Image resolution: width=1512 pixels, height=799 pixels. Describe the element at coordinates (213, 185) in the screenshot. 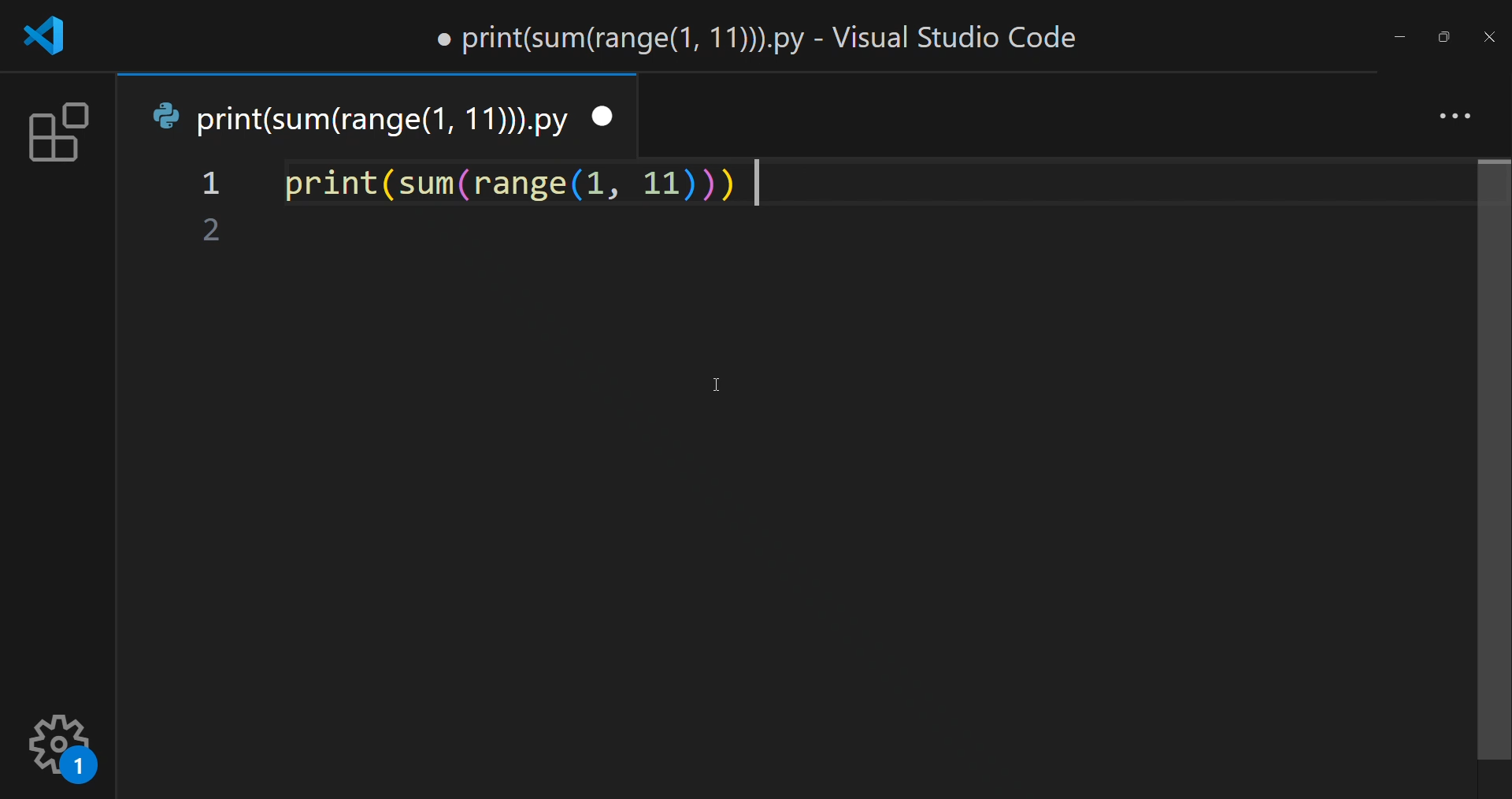

I see `1` at that location.